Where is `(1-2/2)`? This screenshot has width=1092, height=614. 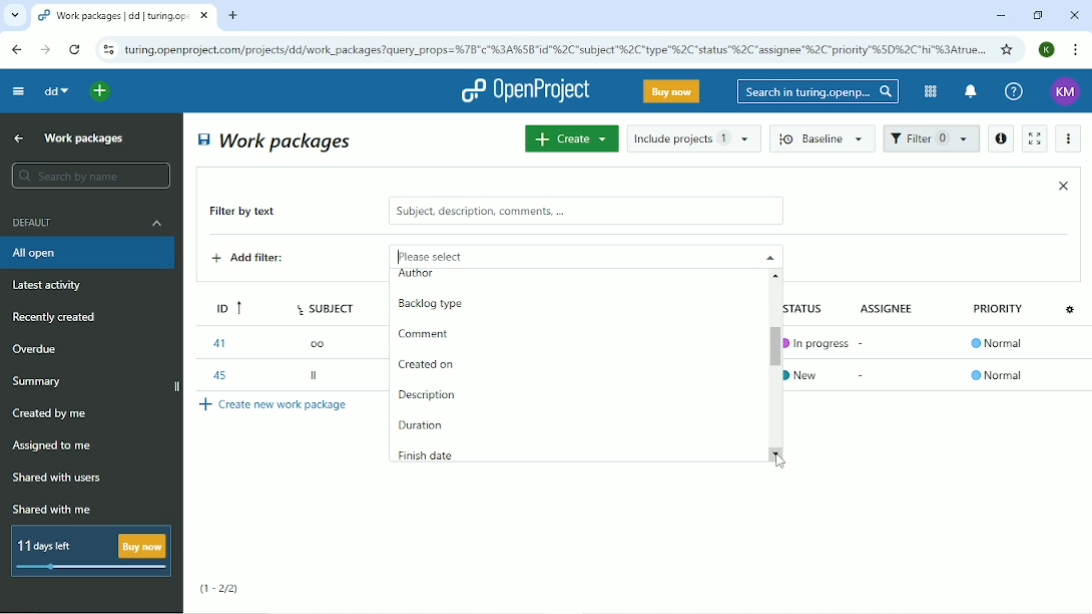
(1-2/2) is located at coordinates (220, 589).